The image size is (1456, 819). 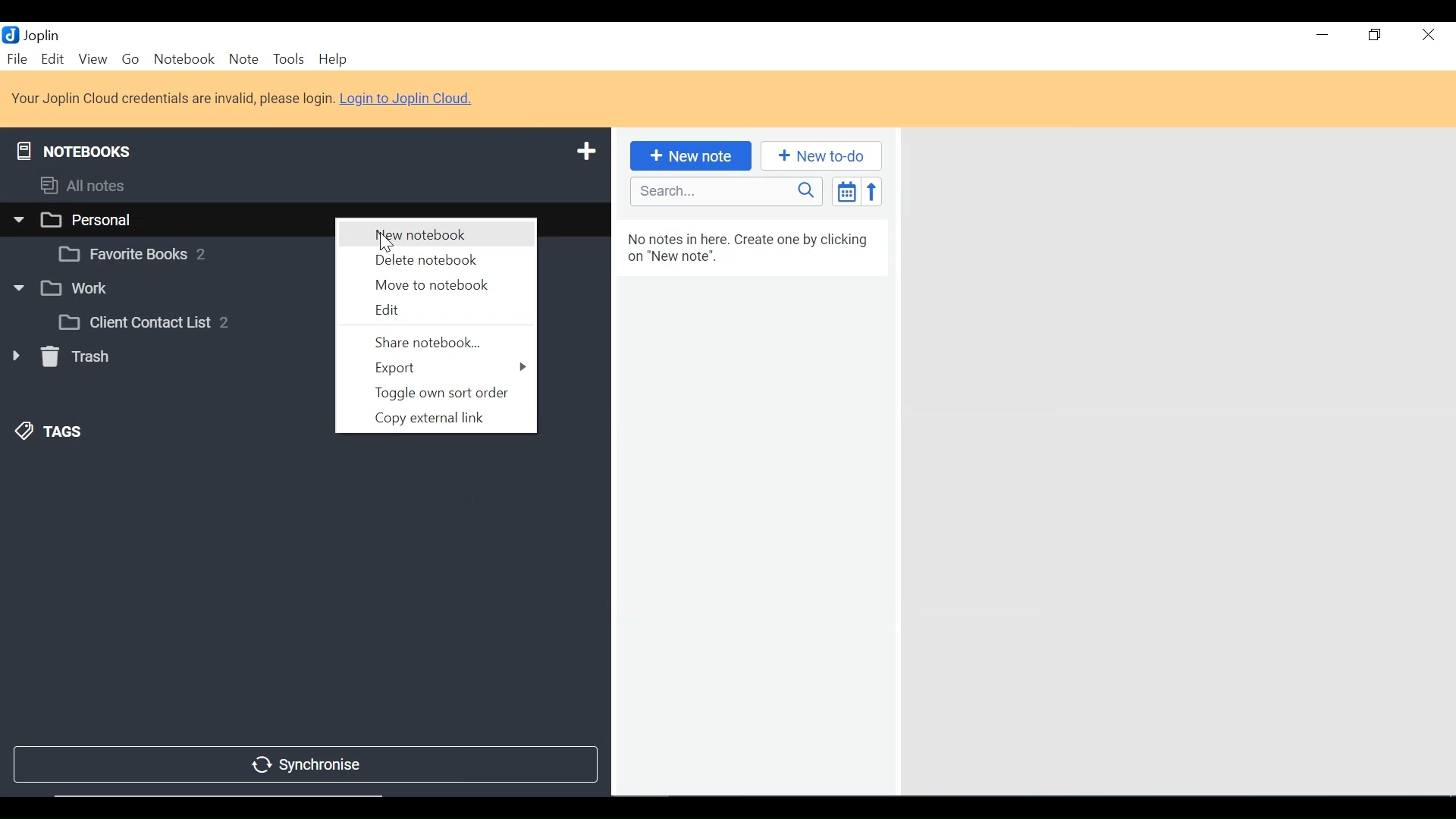 What do you see at coordinates (689, 156) in the screenshot?
I see `Add New Note` at bounding box center [689, 156].